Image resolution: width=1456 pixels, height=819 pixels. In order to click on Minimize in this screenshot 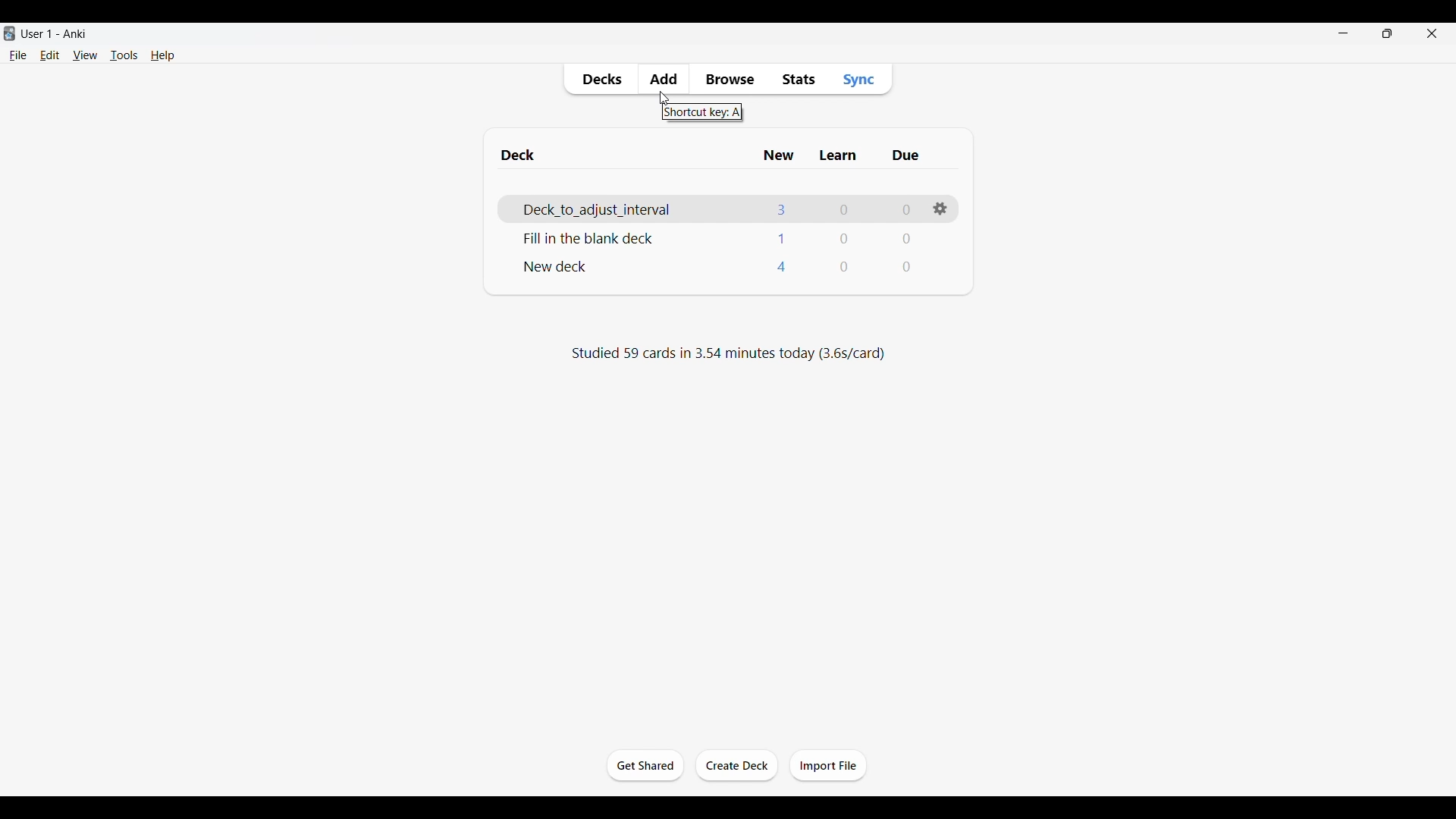, I will do `click(1343, 33)`.